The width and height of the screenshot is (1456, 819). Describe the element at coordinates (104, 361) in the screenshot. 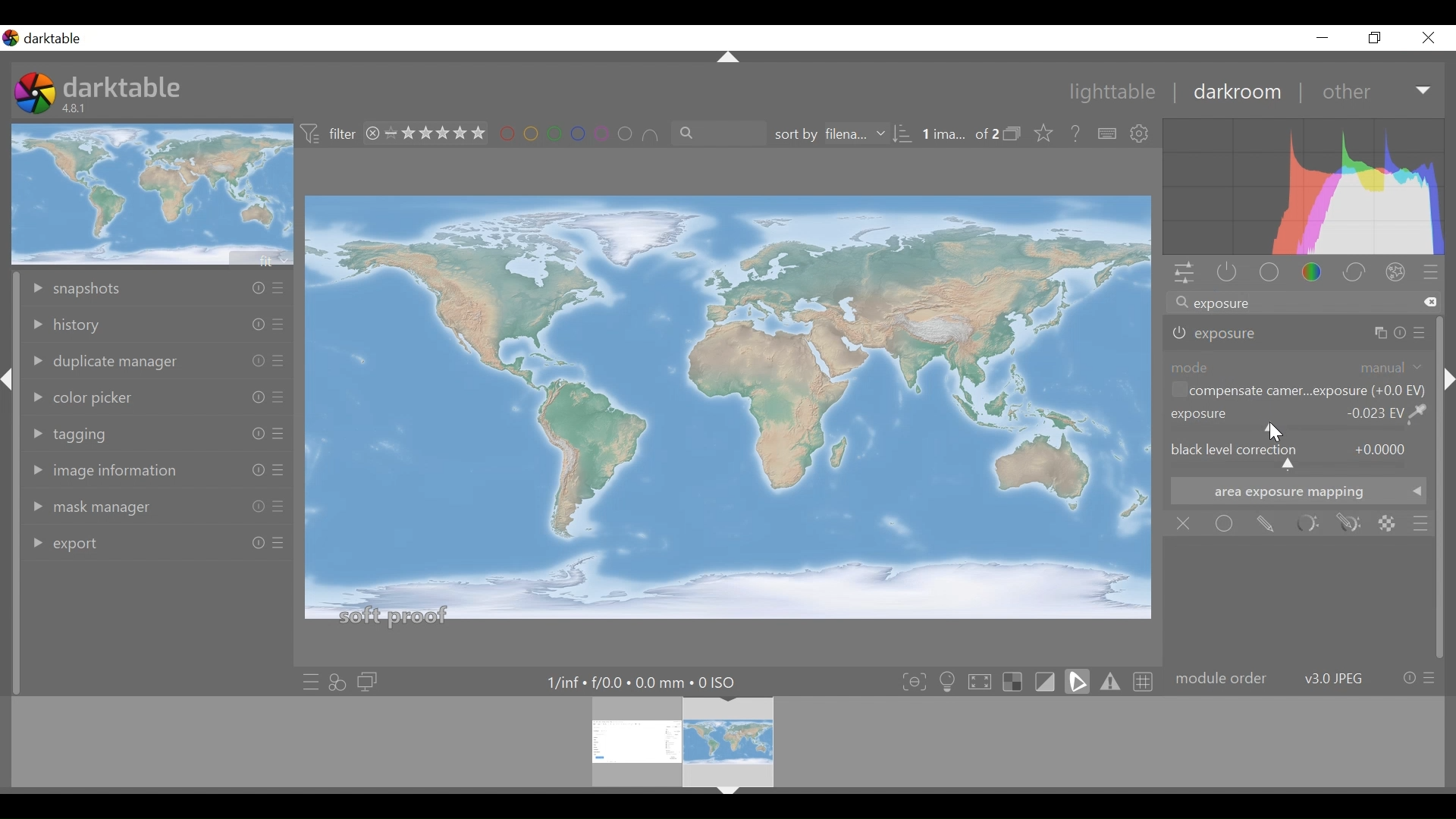

I see `duplicate manager` at that location.